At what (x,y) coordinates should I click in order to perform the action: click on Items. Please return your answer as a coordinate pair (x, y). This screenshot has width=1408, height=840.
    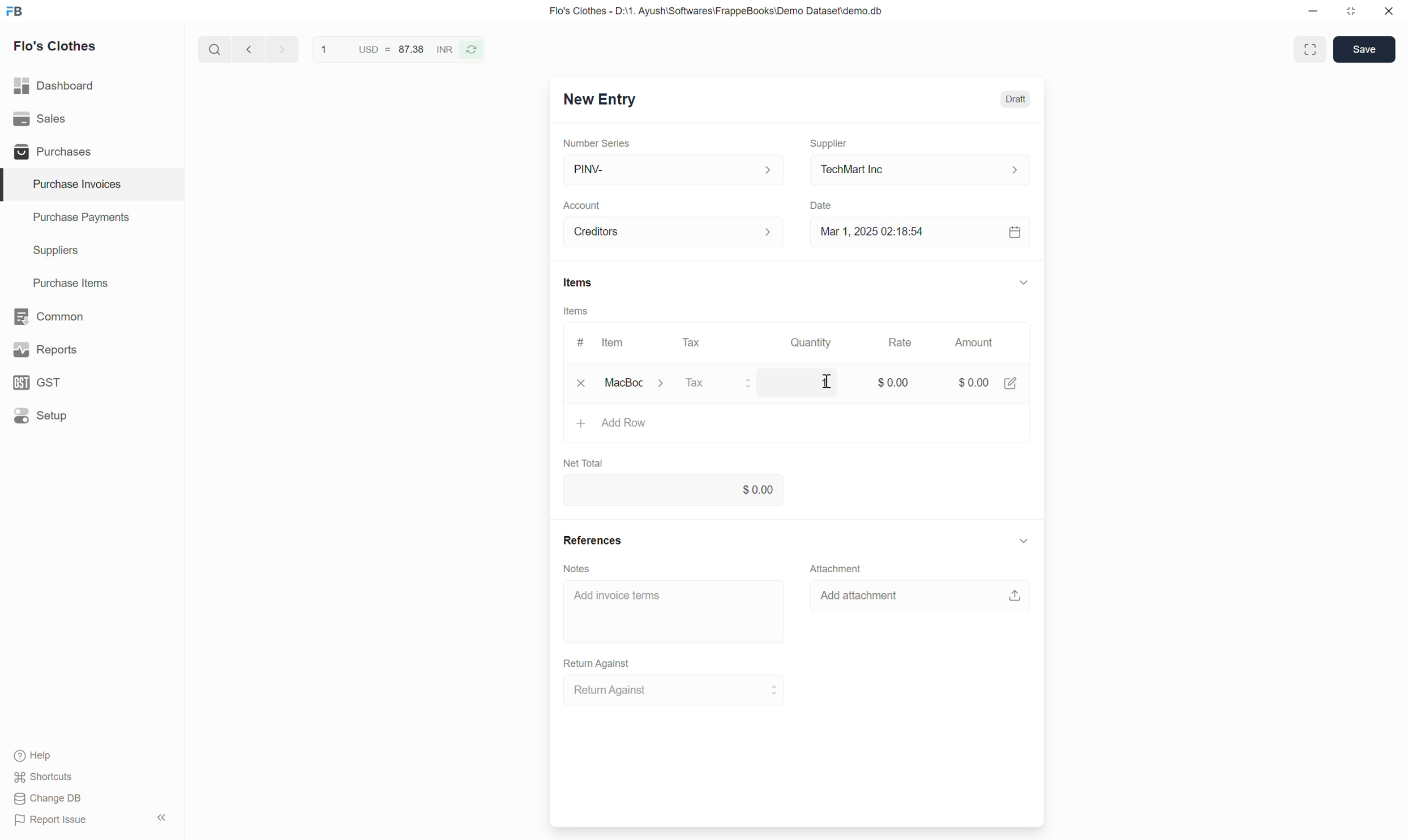
    Looking at the image, I should click on (579, 282).